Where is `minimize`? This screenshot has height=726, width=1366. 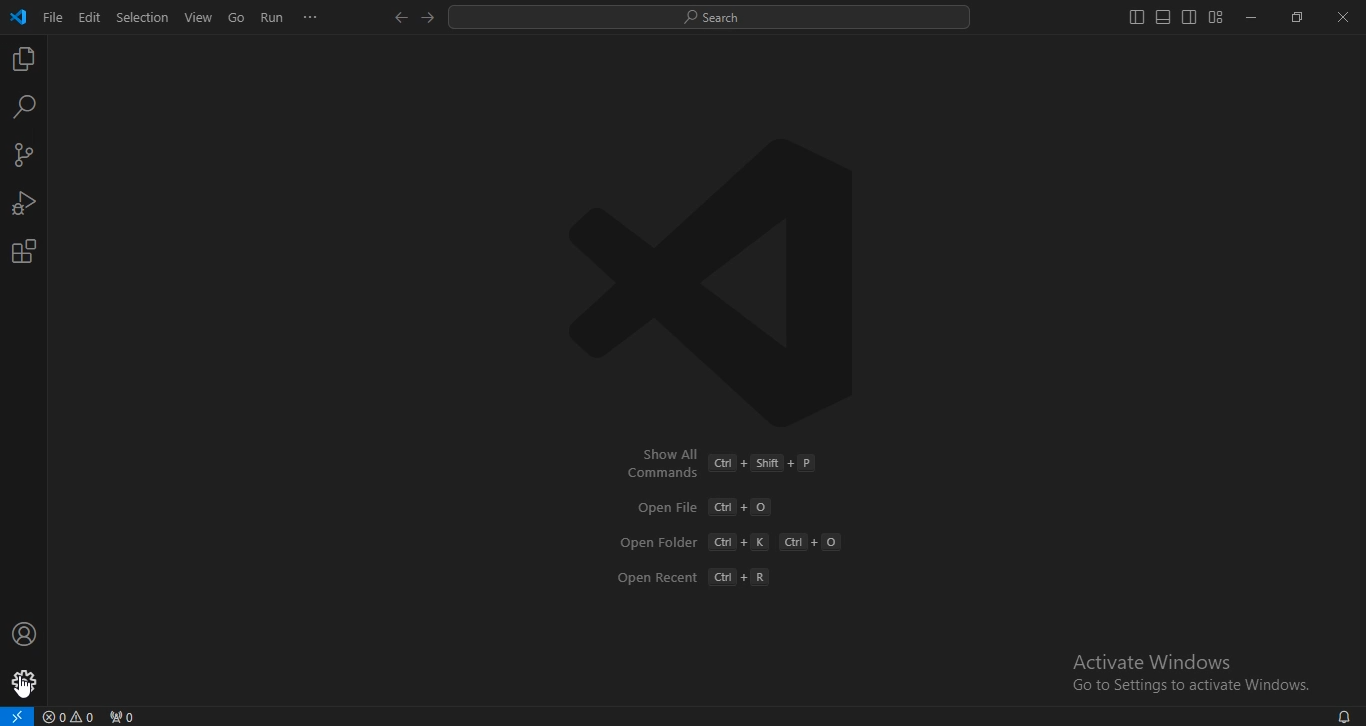 minimize is located at coordinates (1248, 18).